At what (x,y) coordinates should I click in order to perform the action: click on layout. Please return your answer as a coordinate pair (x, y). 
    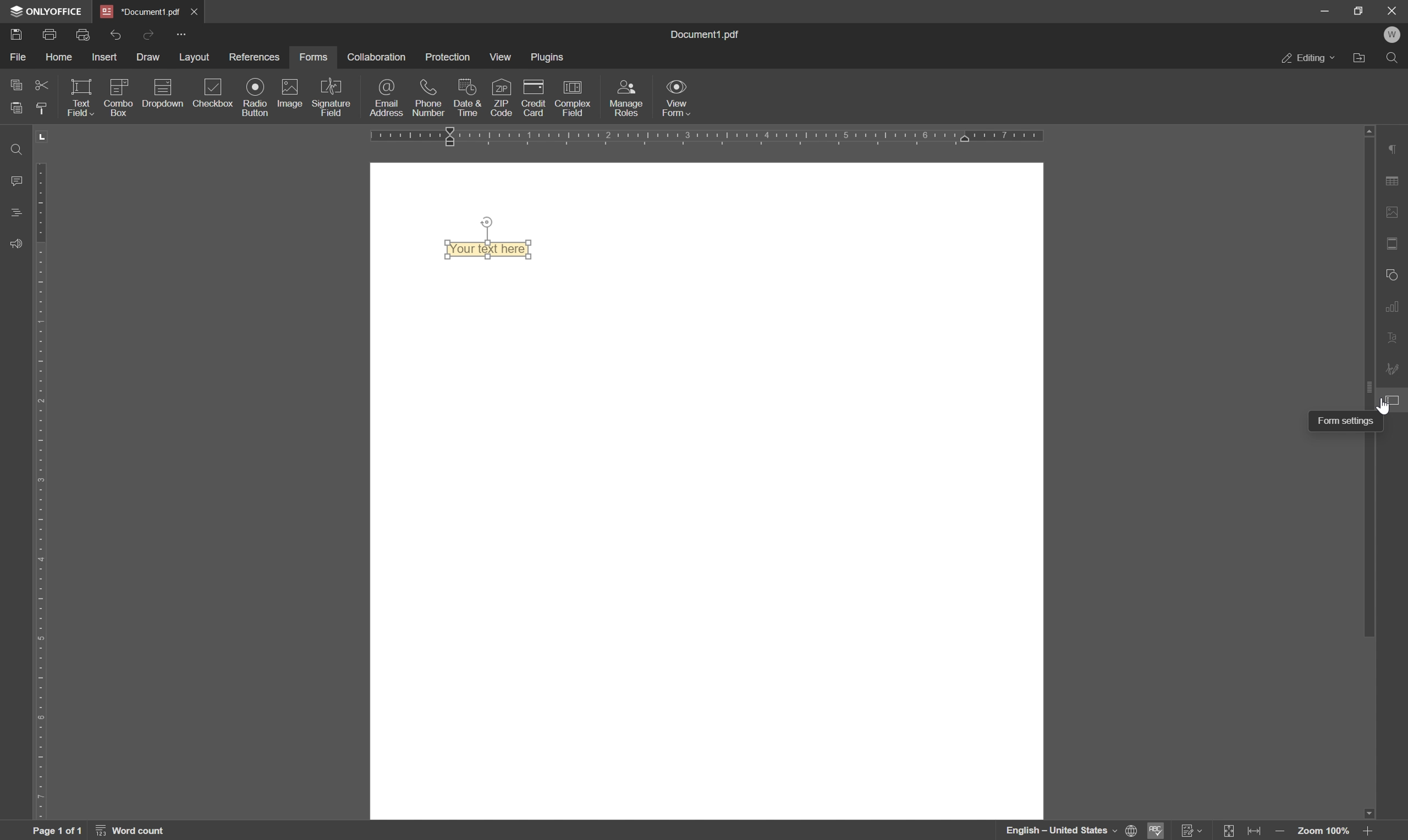
    Looking at the image, I should click on (192, 58).